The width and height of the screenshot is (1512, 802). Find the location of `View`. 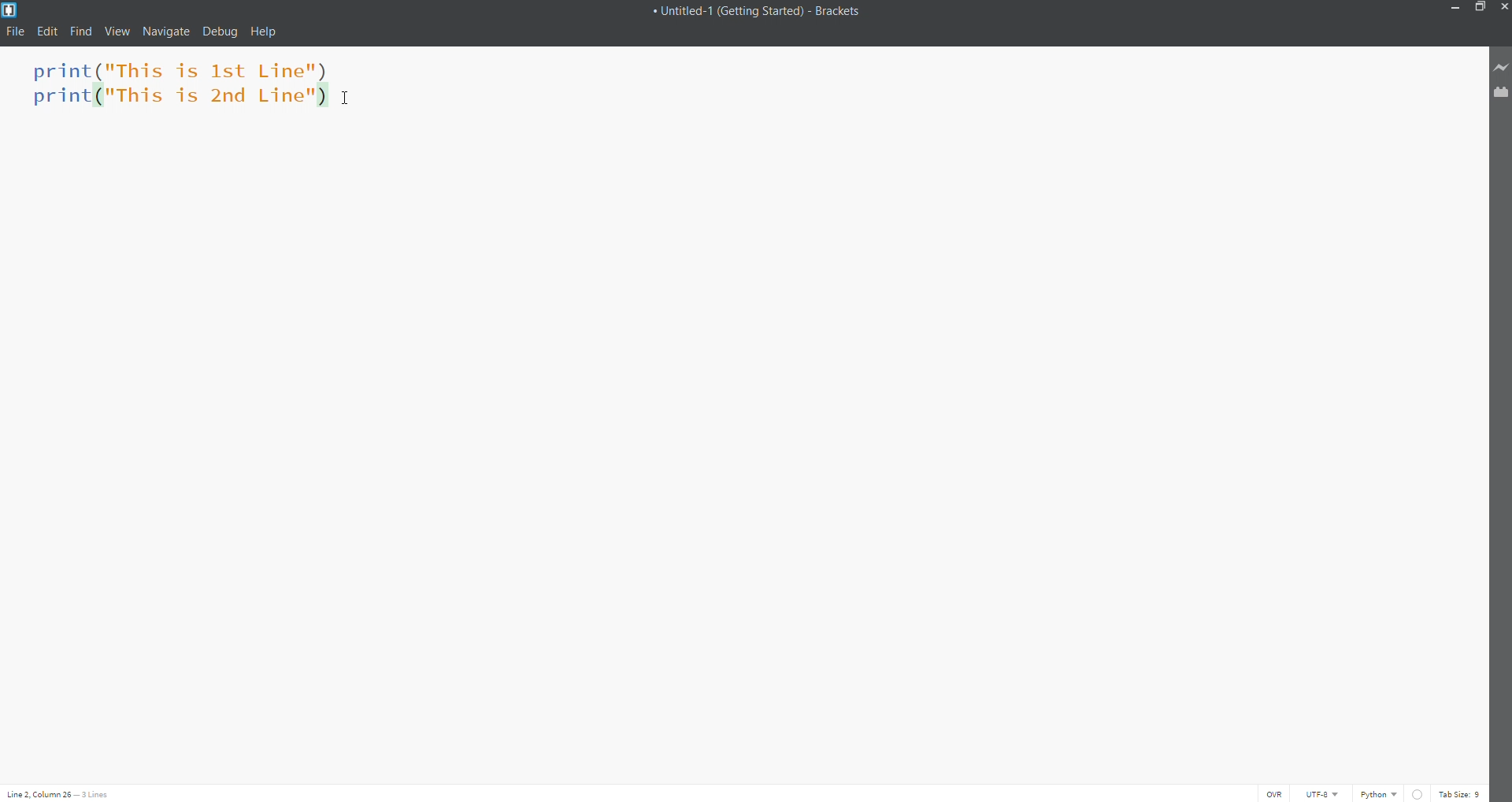

View is located at coordinates (117, 32).